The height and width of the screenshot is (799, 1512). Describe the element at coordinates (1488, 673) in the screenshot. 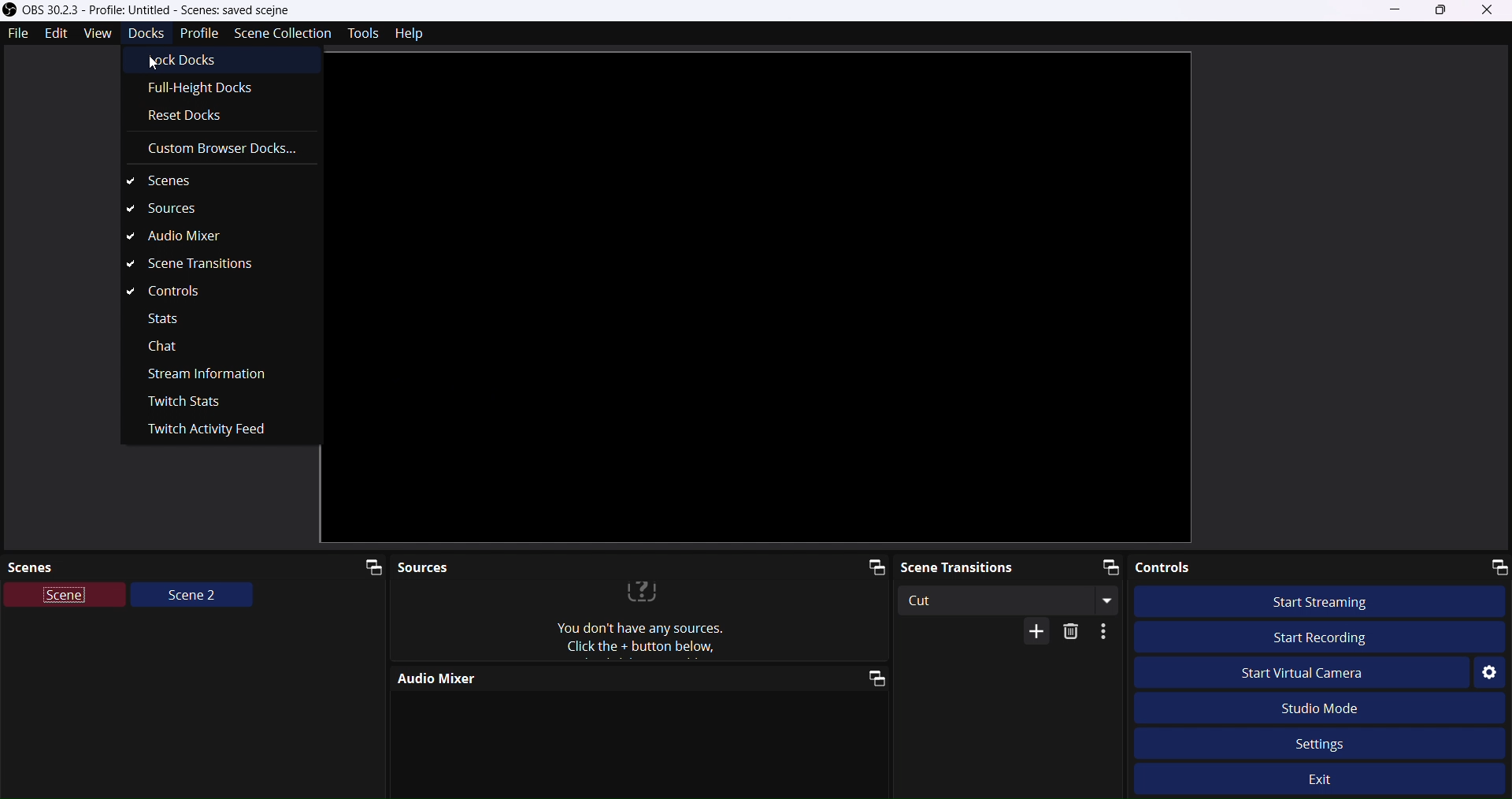

I see `Settings` at that location.